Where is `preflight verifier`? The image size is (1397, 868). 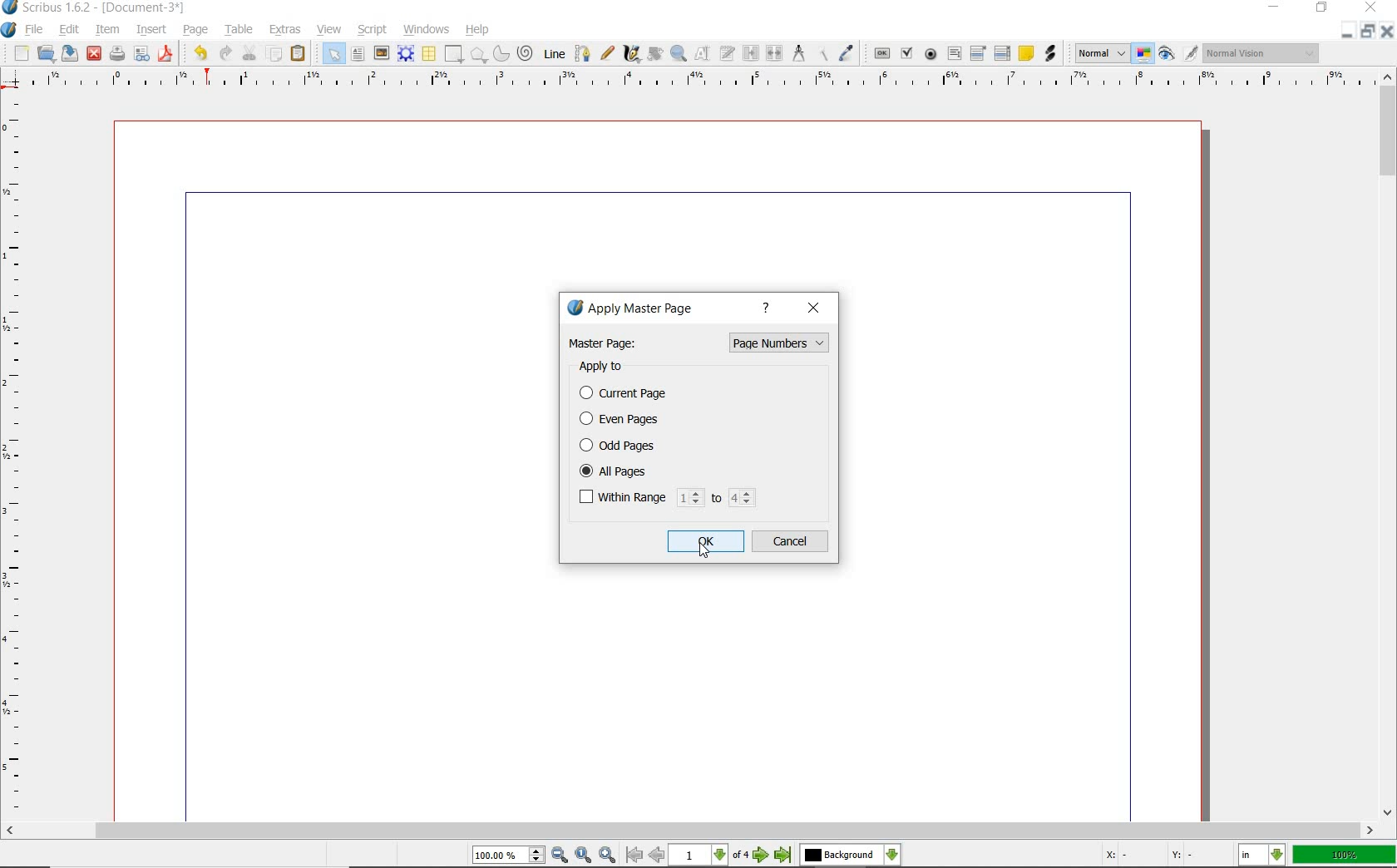 preflight verifier is located at coordinates (142, 54).